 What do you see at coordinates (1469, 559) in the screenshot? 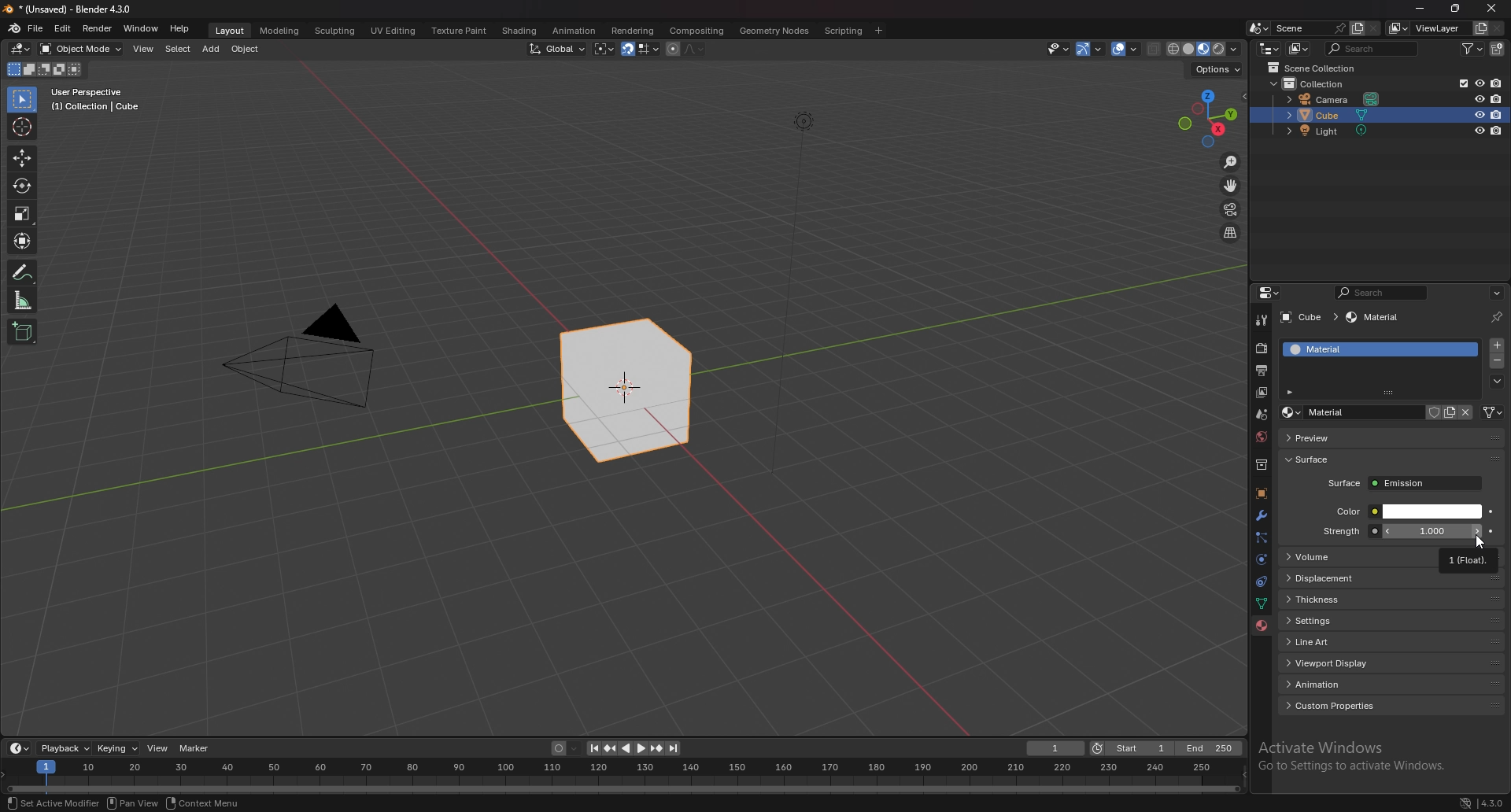
I see `tooltip` at bounding box center [1469, 559].